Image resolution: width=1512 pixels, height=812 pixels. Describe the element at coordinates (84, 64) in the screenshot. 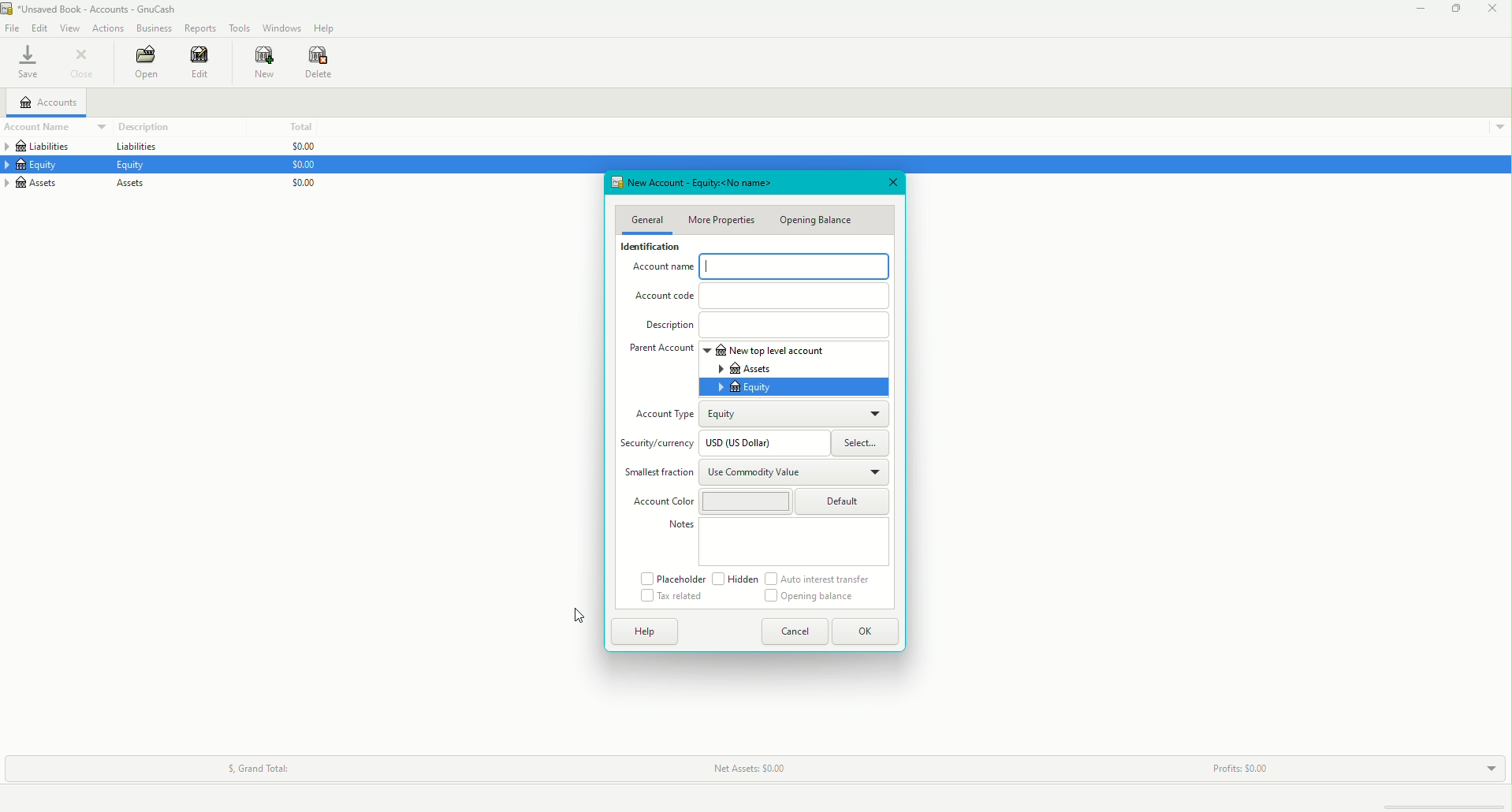

I see `Close` at that location.